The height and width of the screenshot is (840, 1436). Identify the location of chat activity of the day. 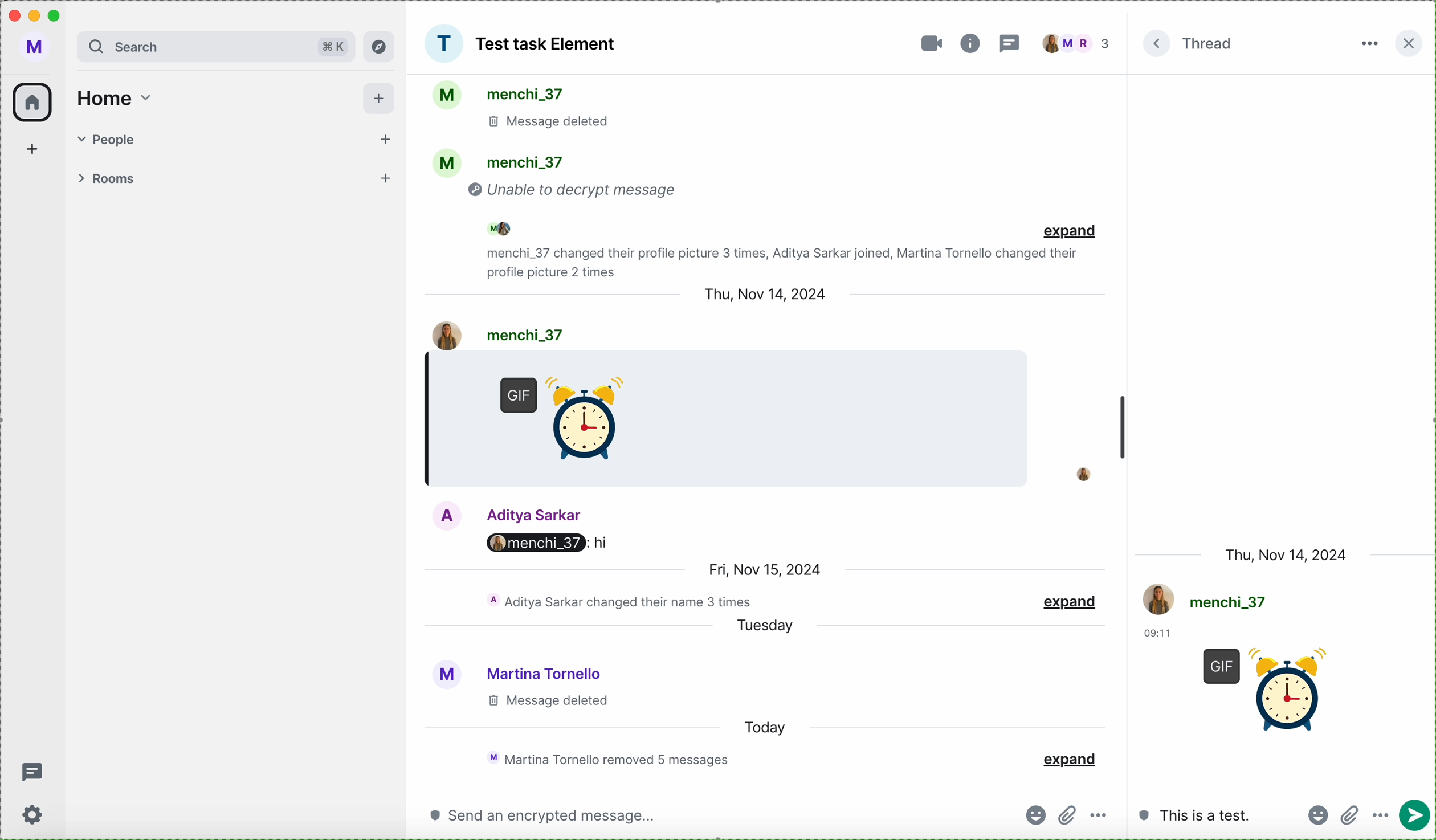
(618, 601).